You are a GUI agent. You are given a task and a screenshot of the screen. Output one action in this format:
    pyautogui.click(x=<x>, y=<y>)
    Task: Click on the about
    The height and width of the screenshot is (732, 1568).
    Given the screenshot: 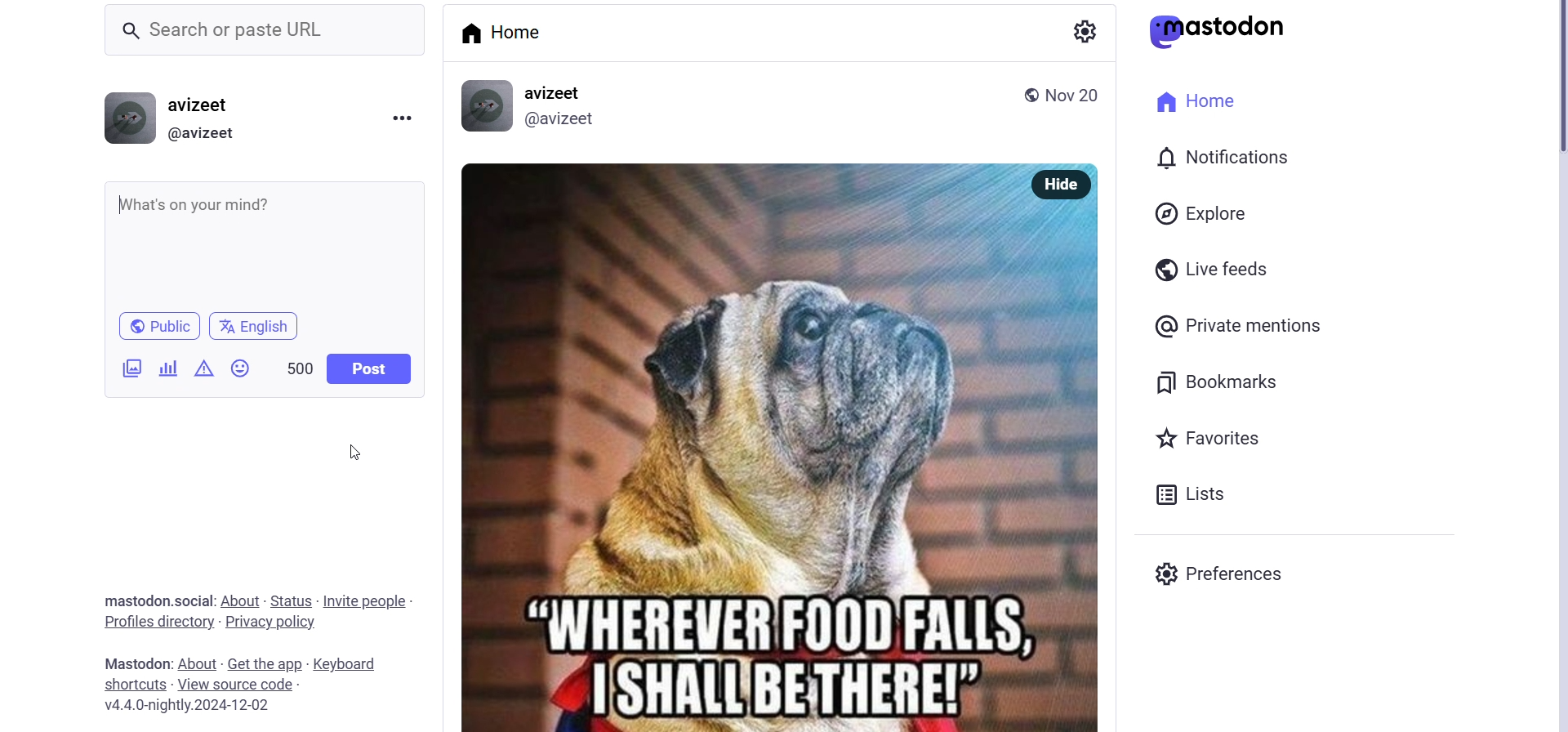 What is the action you would take?
    pyautogui.click(x=242, y=597)
    